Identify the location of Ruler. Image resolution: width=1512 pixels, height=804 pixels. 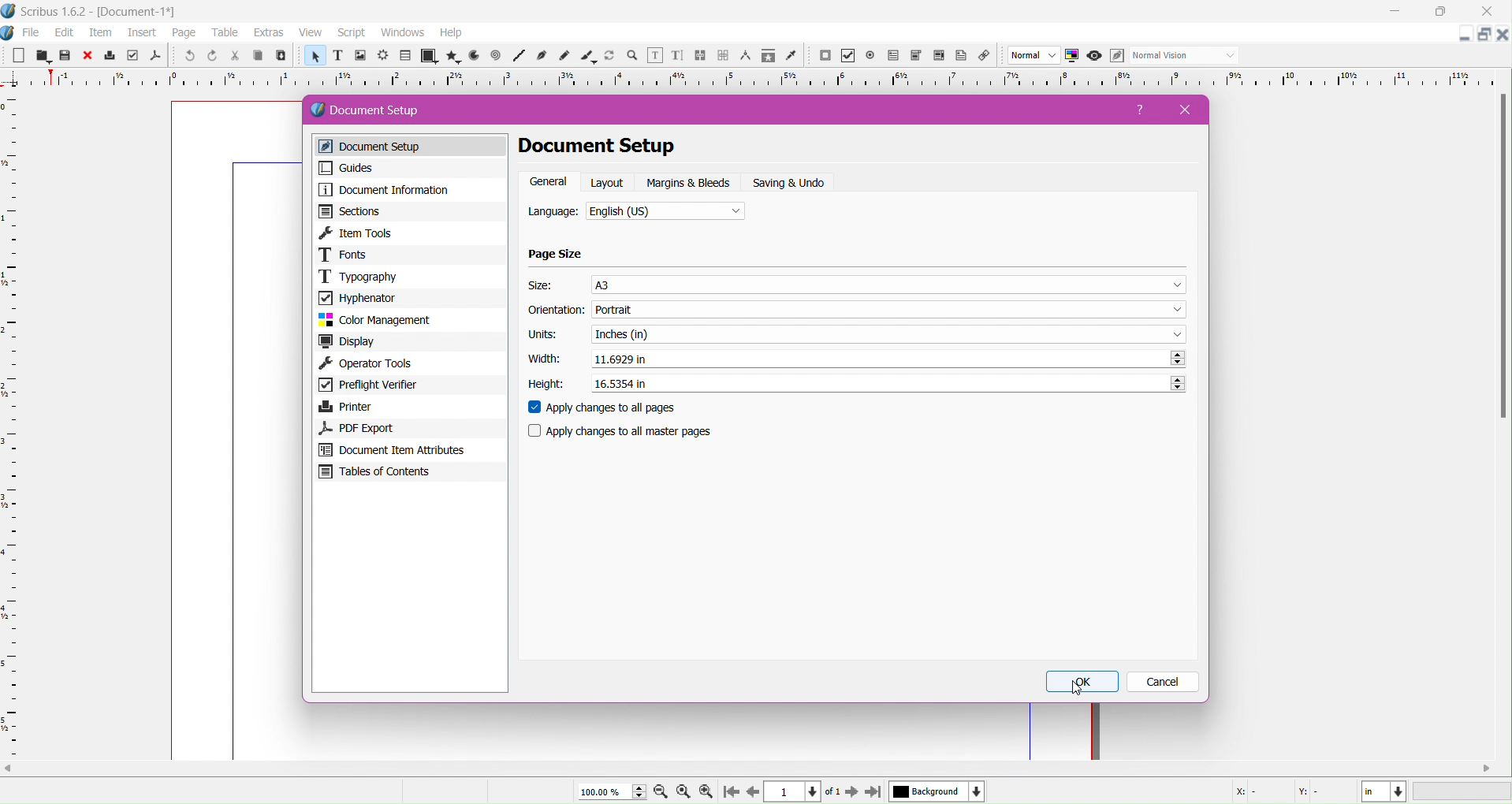
(11, 426).